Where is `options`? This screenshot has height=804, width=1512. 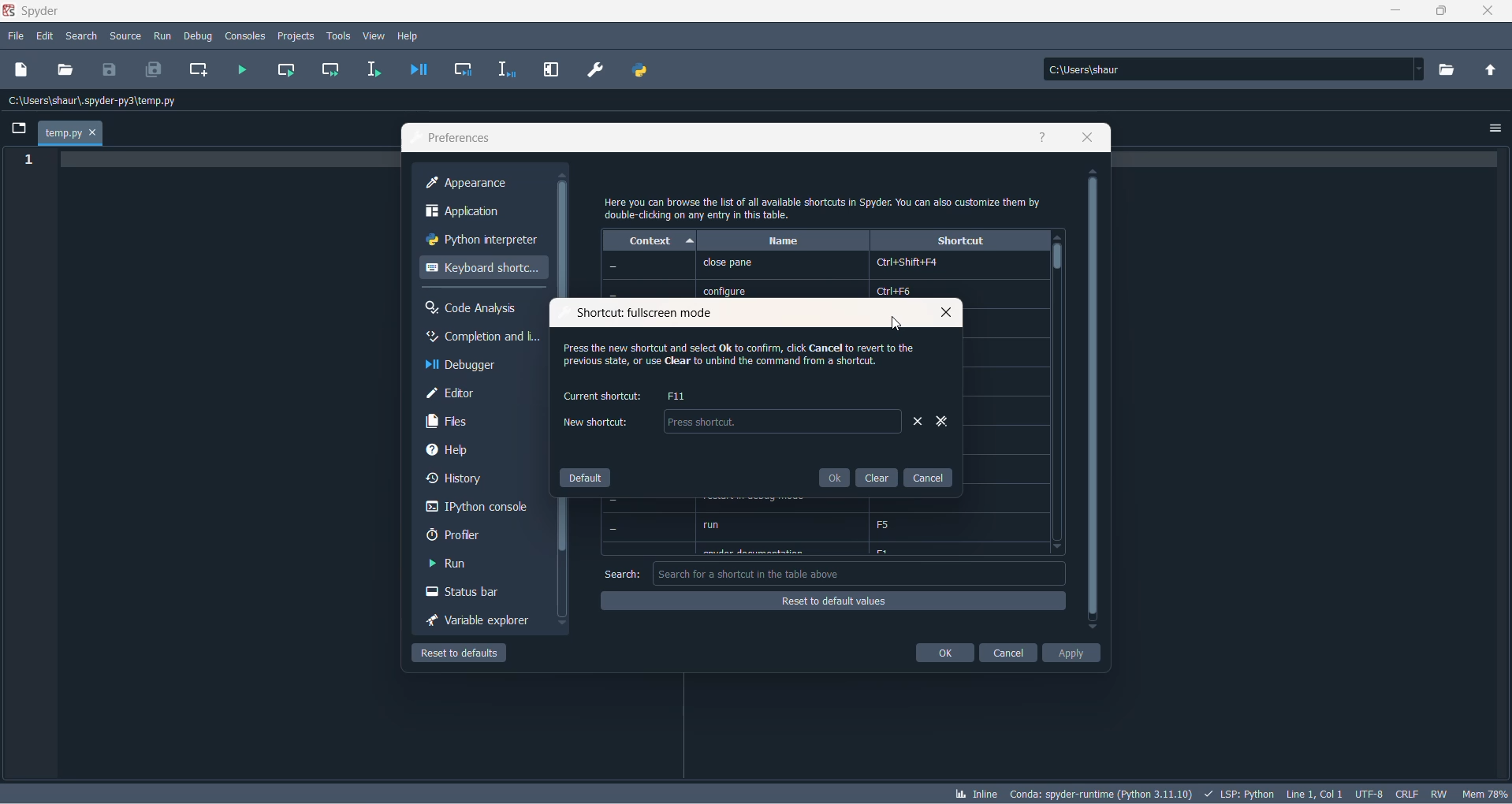 options is located at coordinates (1496, 125).